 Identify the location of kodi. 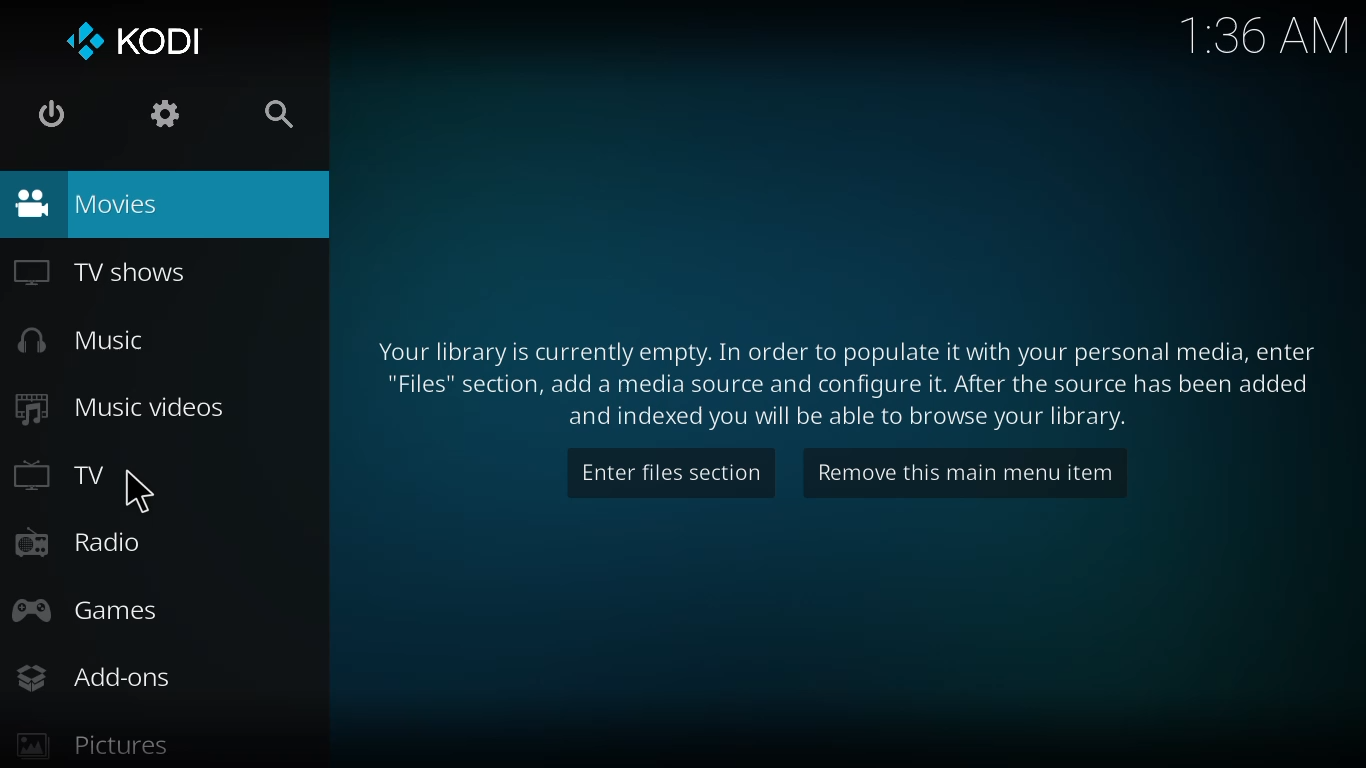
(133, 41).